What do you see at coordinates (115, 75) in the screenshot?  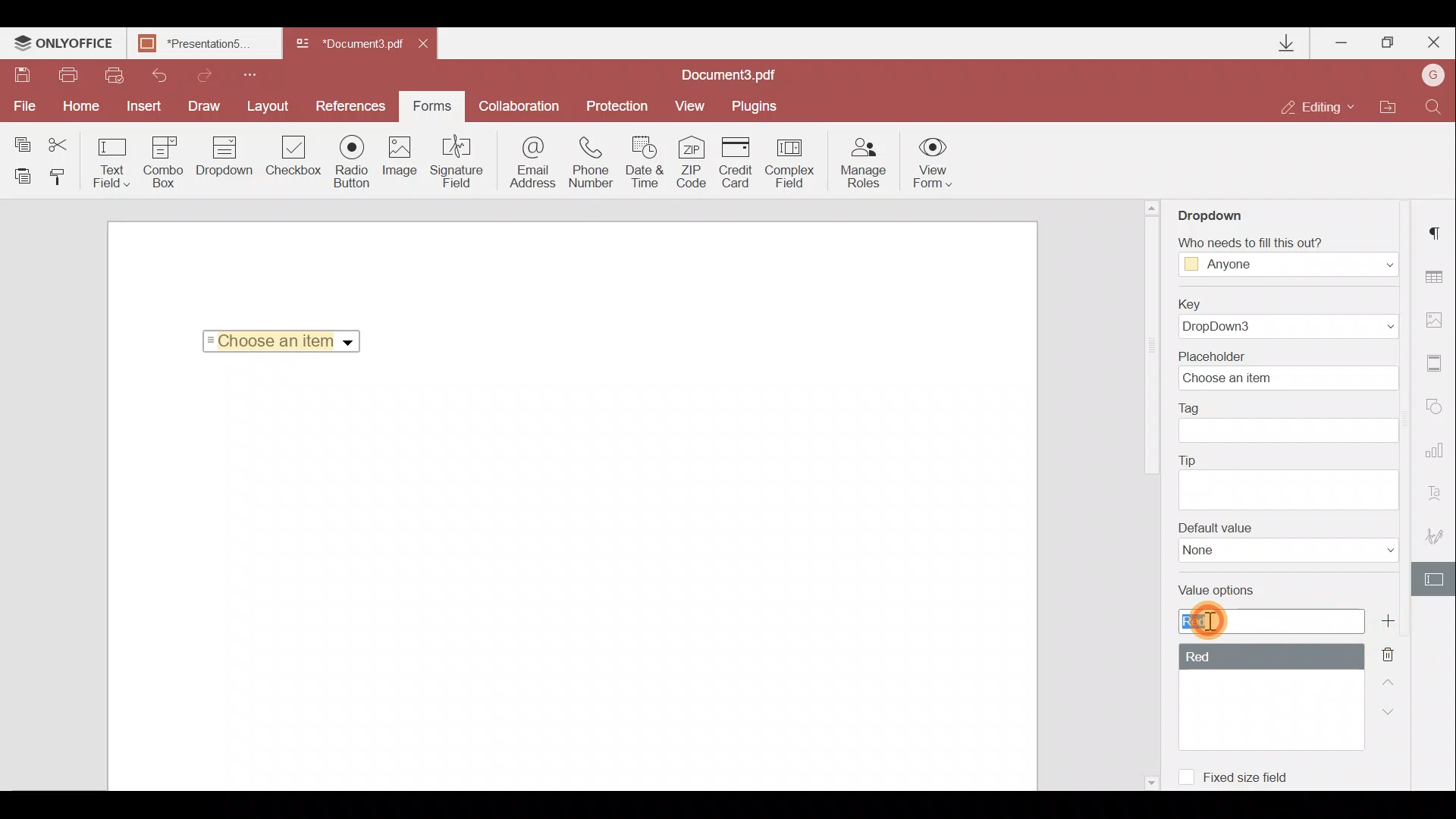 I see `Quick print` at bounding box center [115, 75].